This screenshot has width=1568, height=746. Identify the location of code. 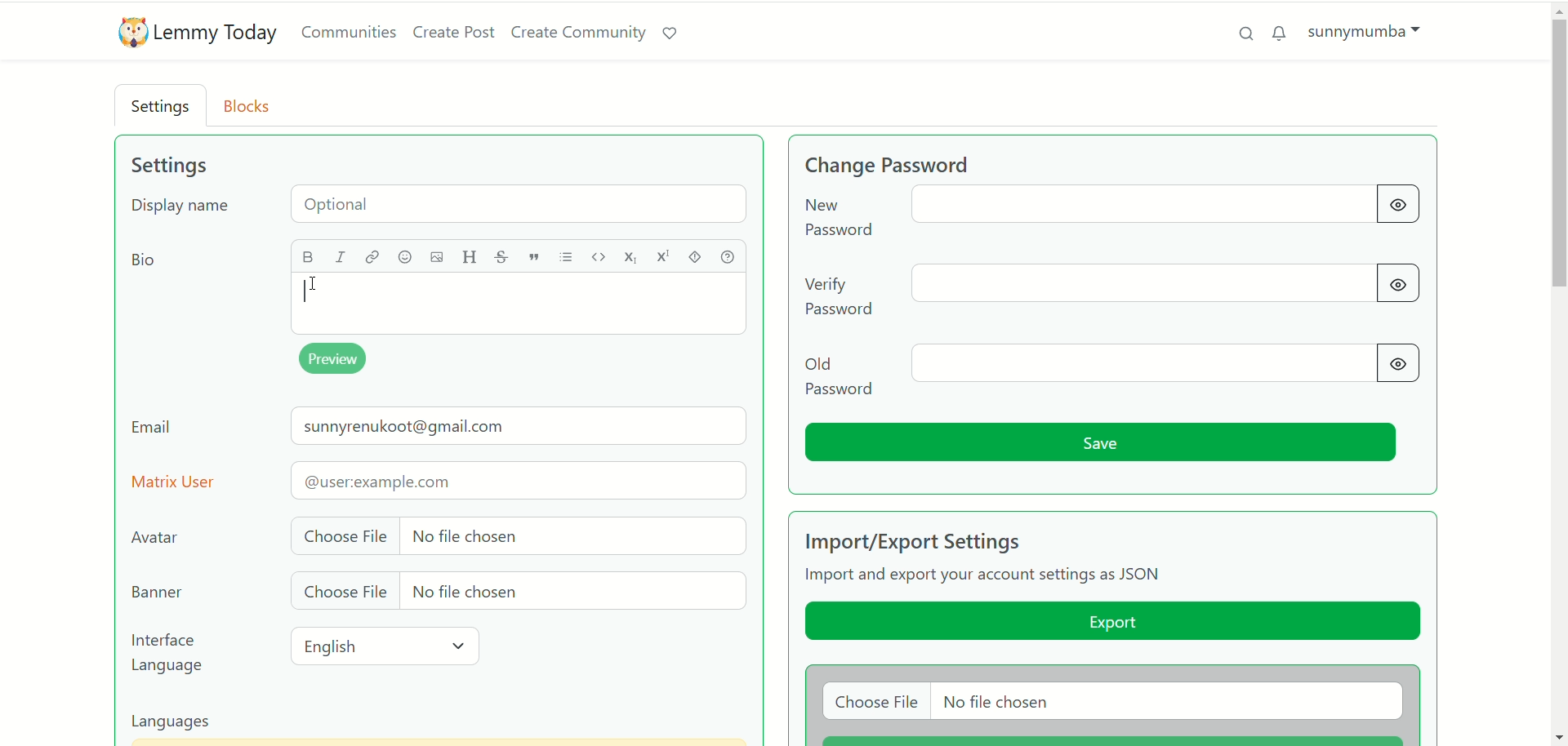
(600, 255).